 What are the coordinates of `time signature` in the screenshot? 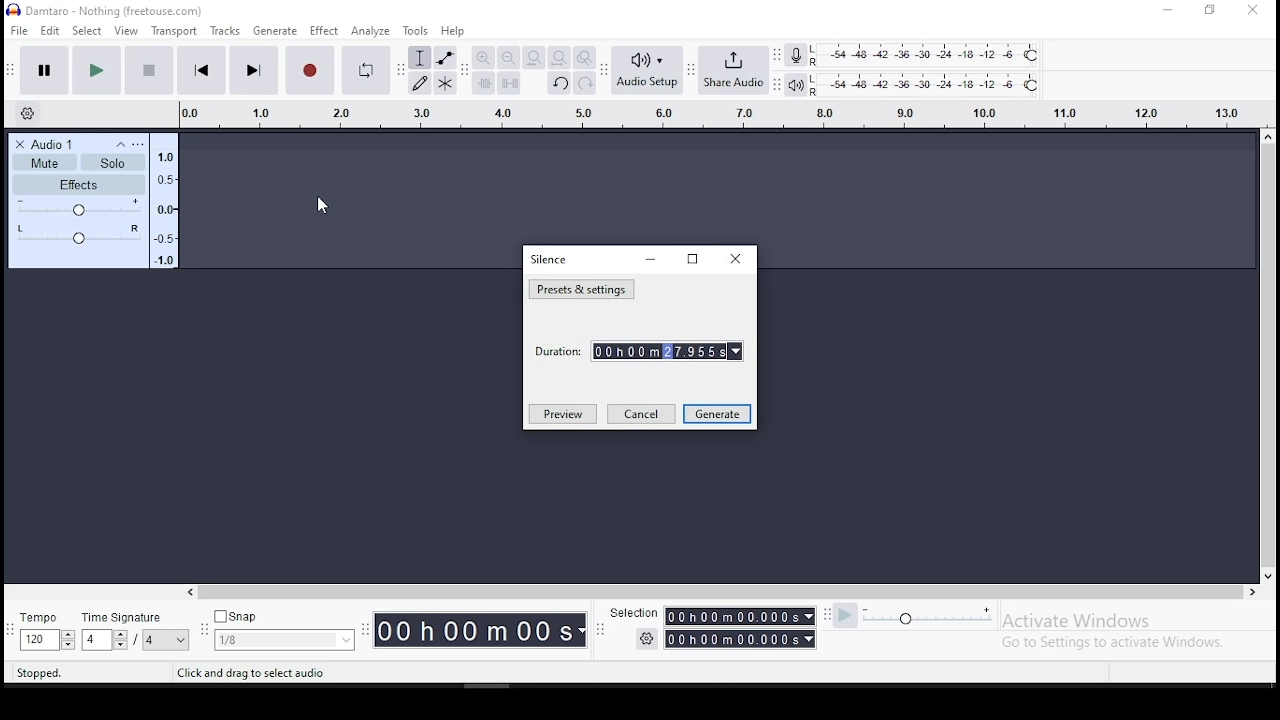 It's located at (134, 630).